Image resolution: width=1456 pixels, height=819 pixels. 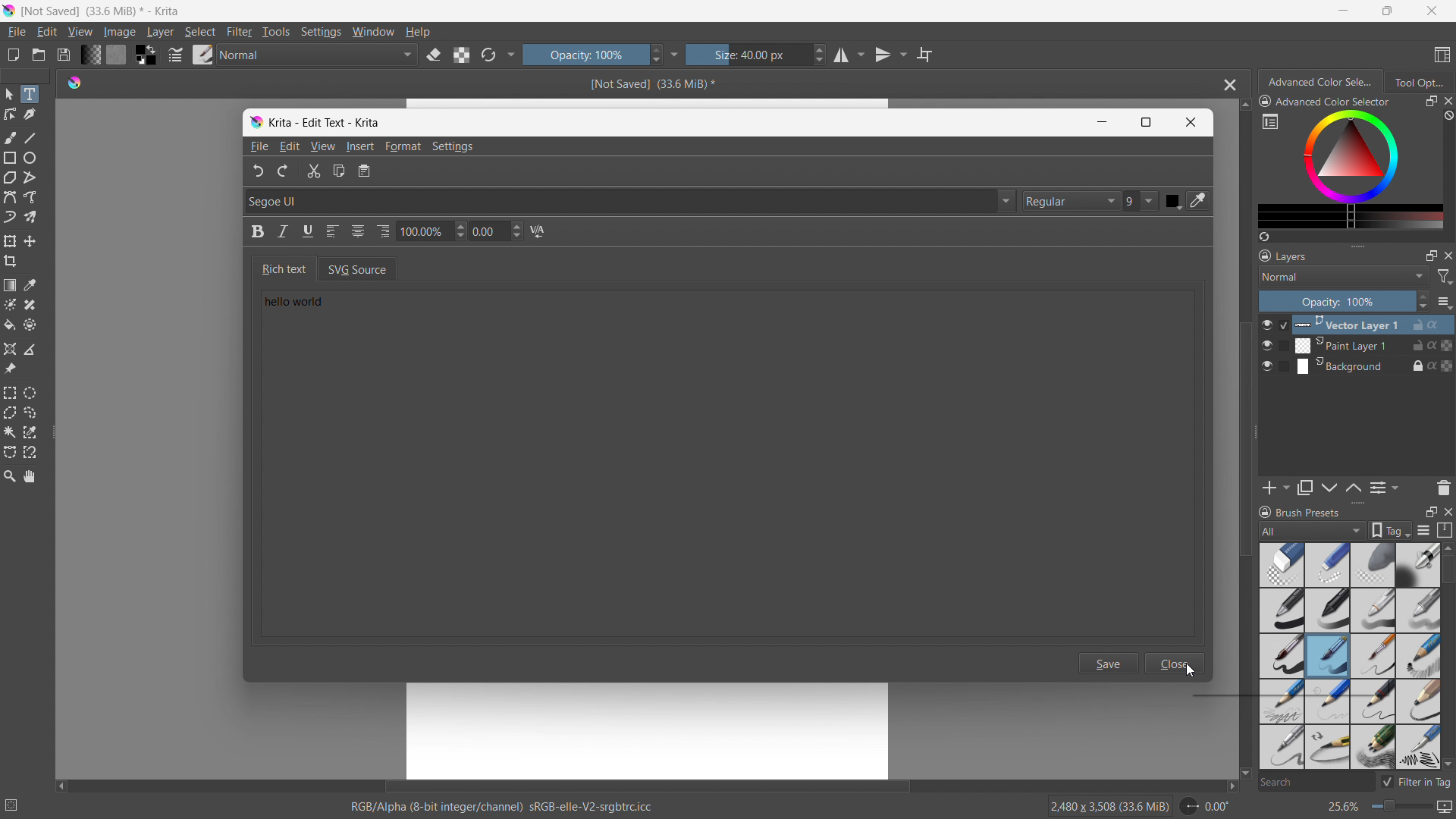 What do you see at coordinates (277, 32) in the screenshot?
I see `tools` at bounding box center [277, 32].